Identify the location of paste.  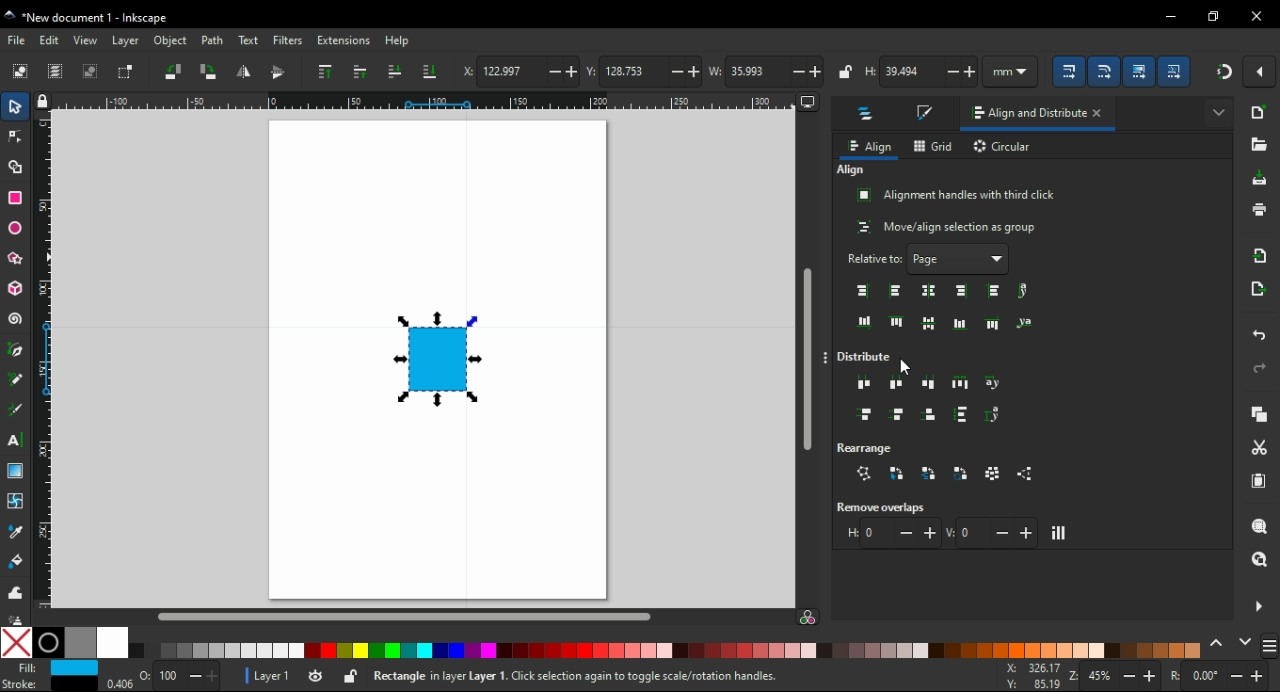
(1261, 481).